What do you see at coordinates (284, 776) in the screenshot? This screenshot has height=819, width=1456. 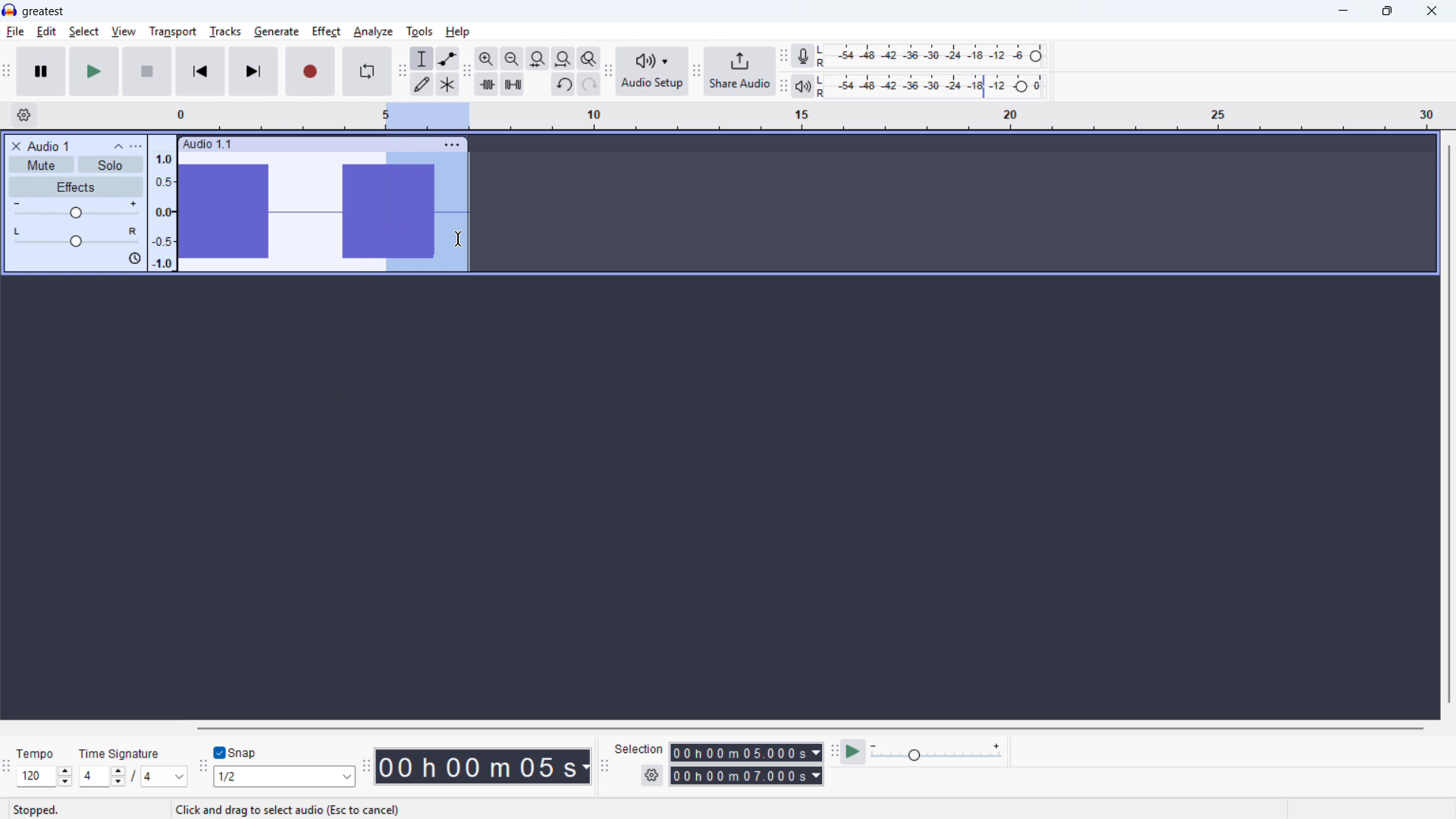 I see `Select snapping ` at bounding box center [284, 776].